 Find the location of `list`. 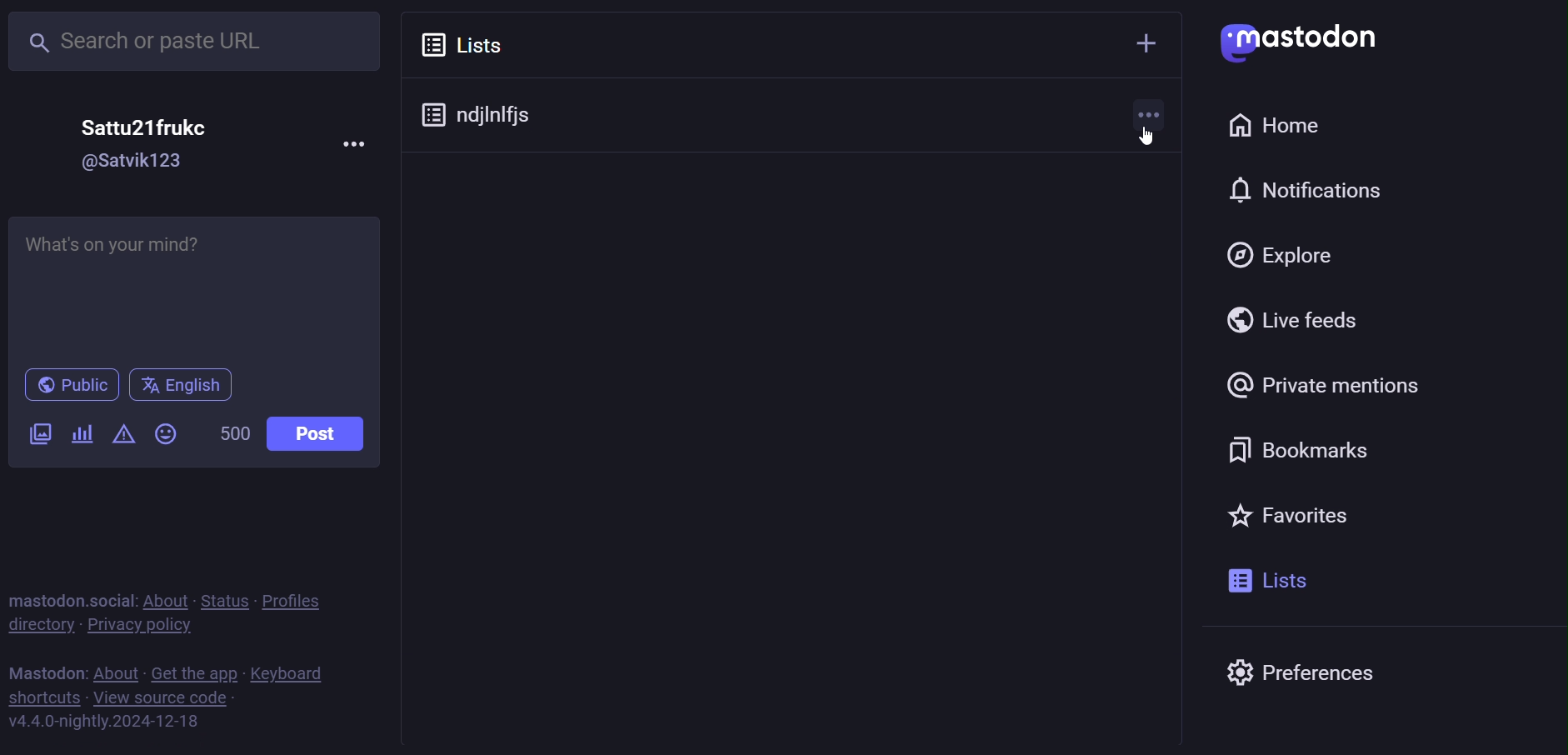

list is located at coordinates (1270, 579).